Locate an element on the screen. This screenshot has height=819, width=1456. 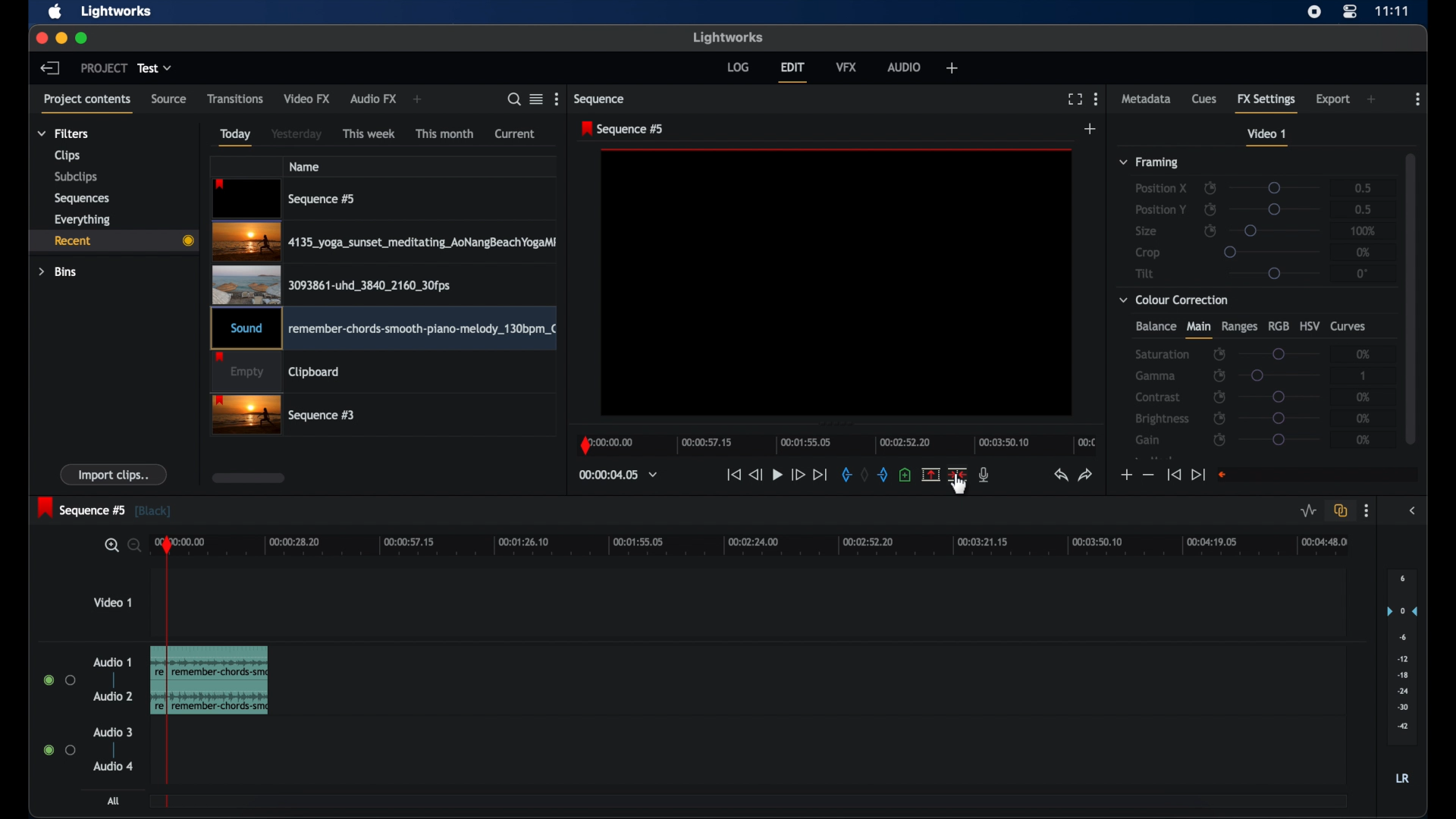
tilt is located at coordinates (1145, 273).